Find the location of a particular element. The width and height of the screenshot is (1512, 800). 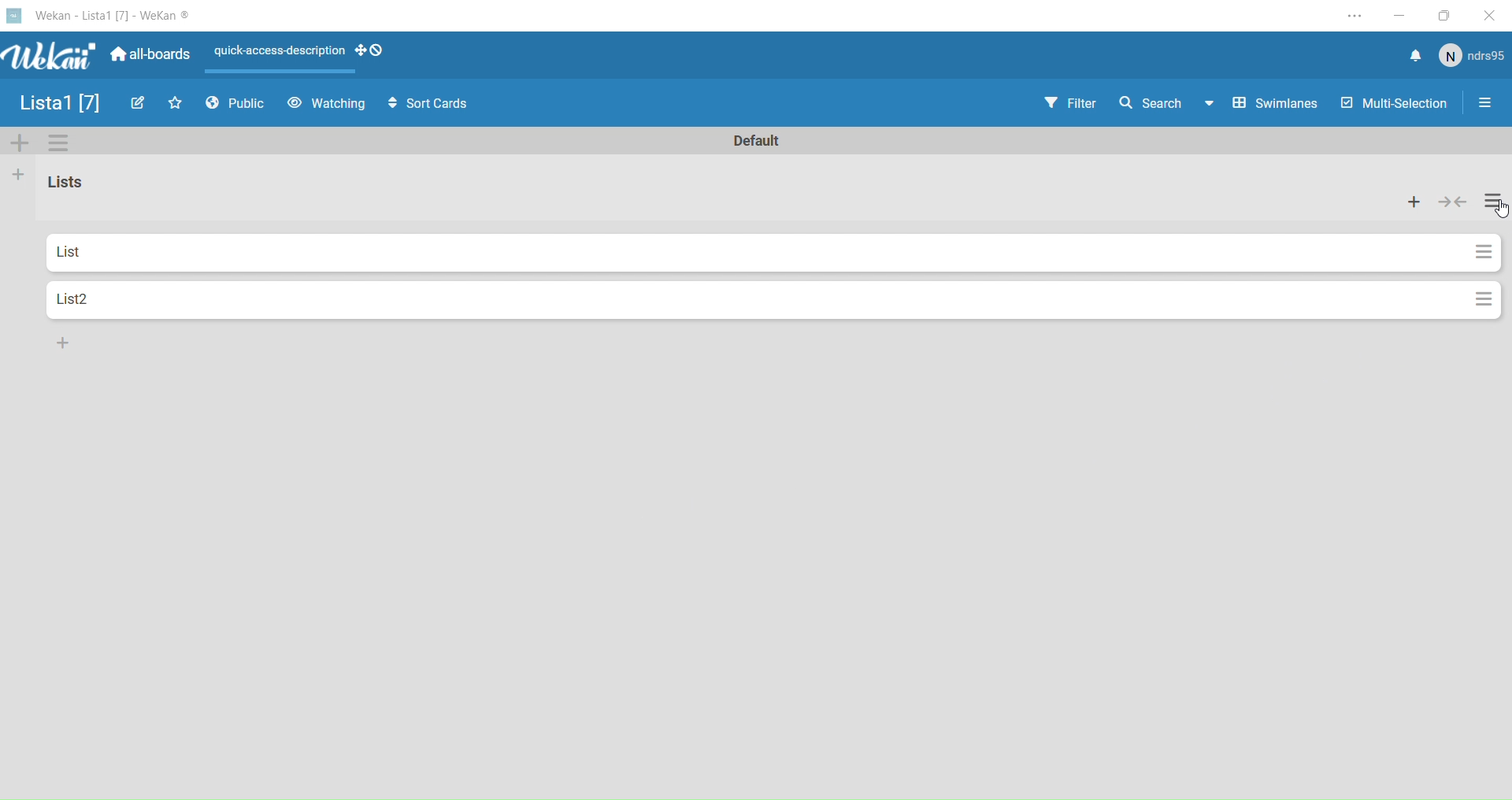

Minimize is located at coordinates (1397, 16).